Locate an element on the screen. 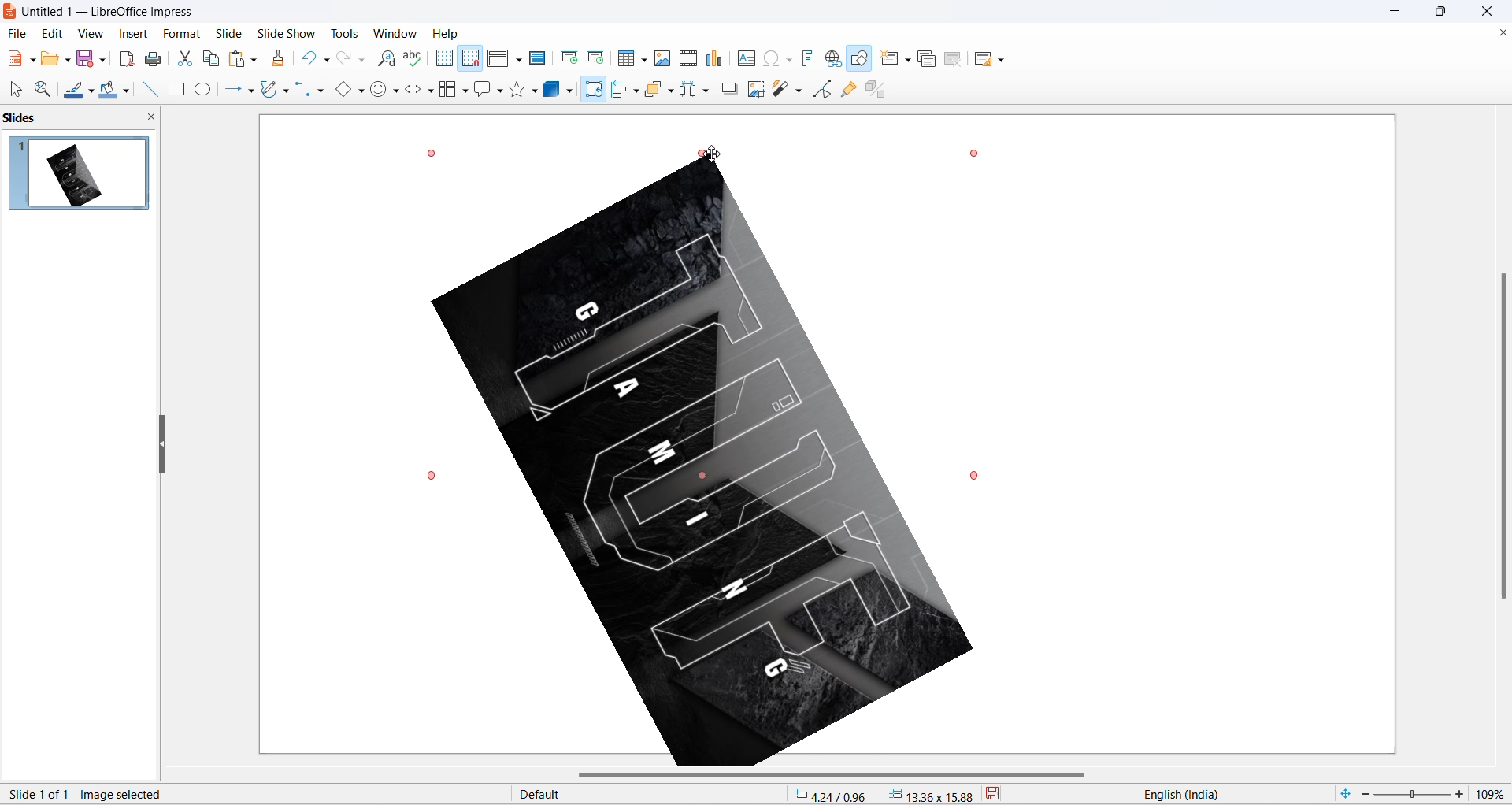 This screenshot has height=805, width=1512. display grid is located at coordinates (443, 57).